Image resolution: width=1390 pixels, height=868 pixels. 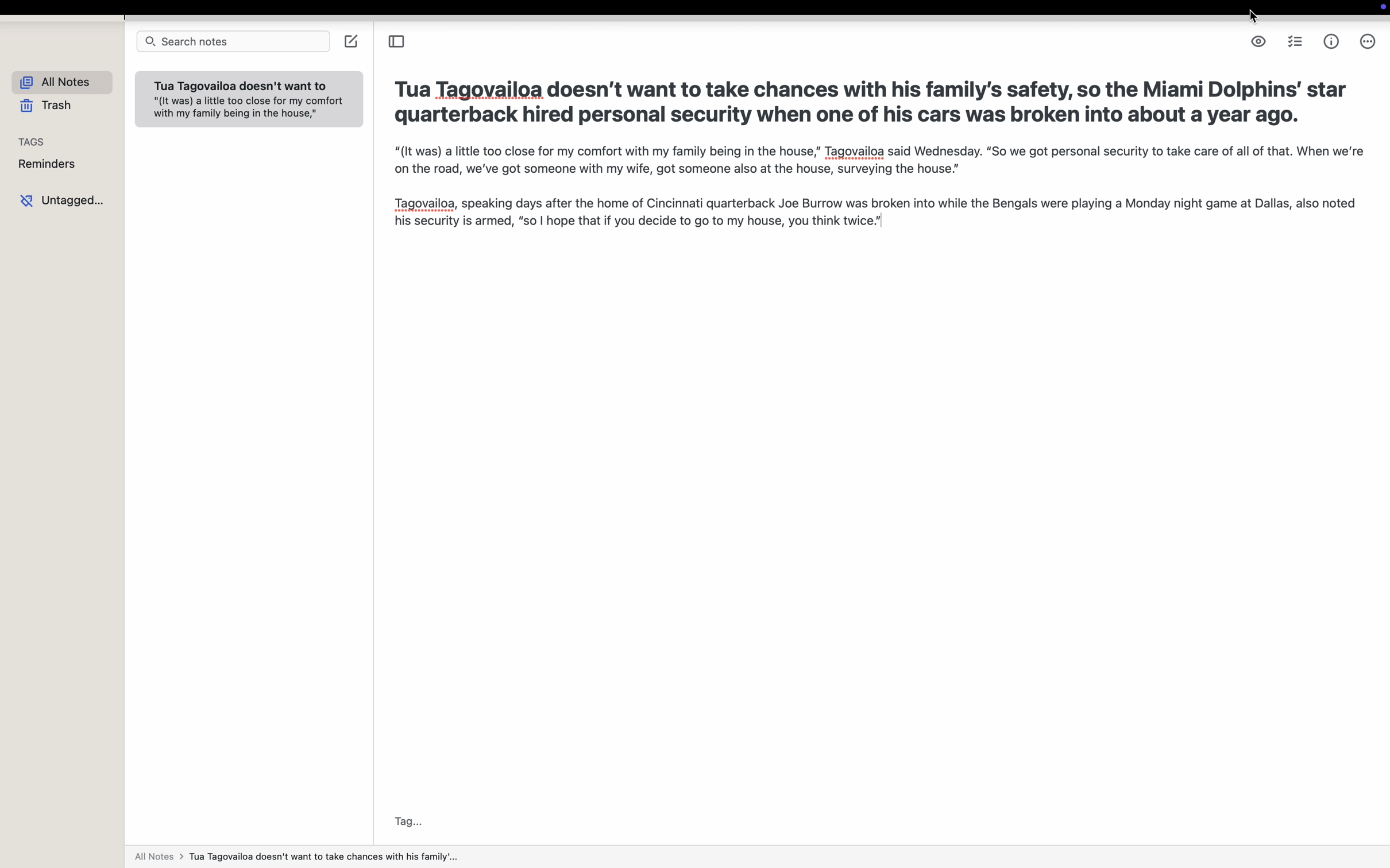 What do you see at coordinates (300, 857) in the screenshot?
I see `all notes` at bounding box center [300, 857].